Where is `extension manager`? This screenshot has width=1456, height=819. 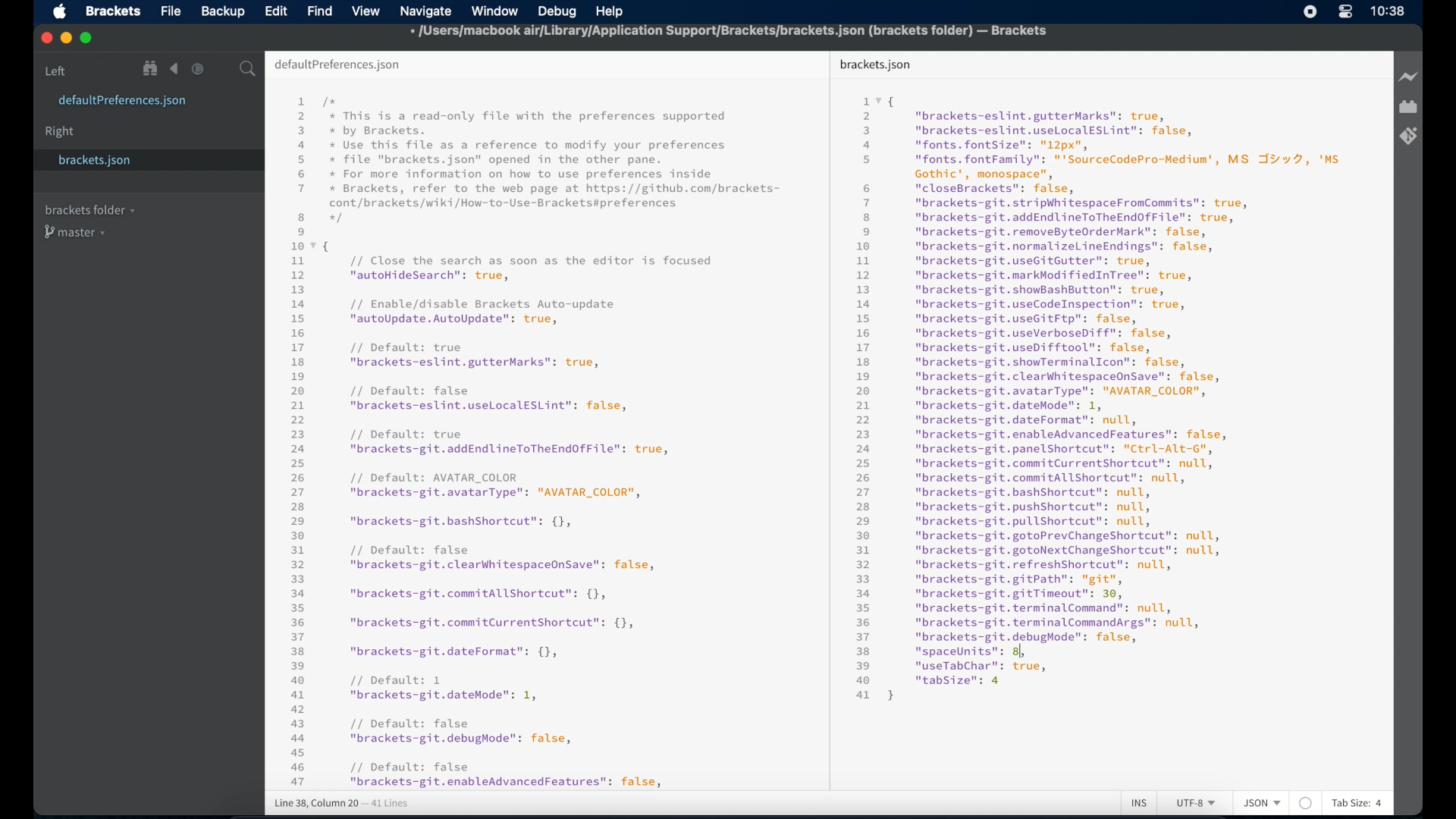 extension manager is located at coordinates (1408, 107).